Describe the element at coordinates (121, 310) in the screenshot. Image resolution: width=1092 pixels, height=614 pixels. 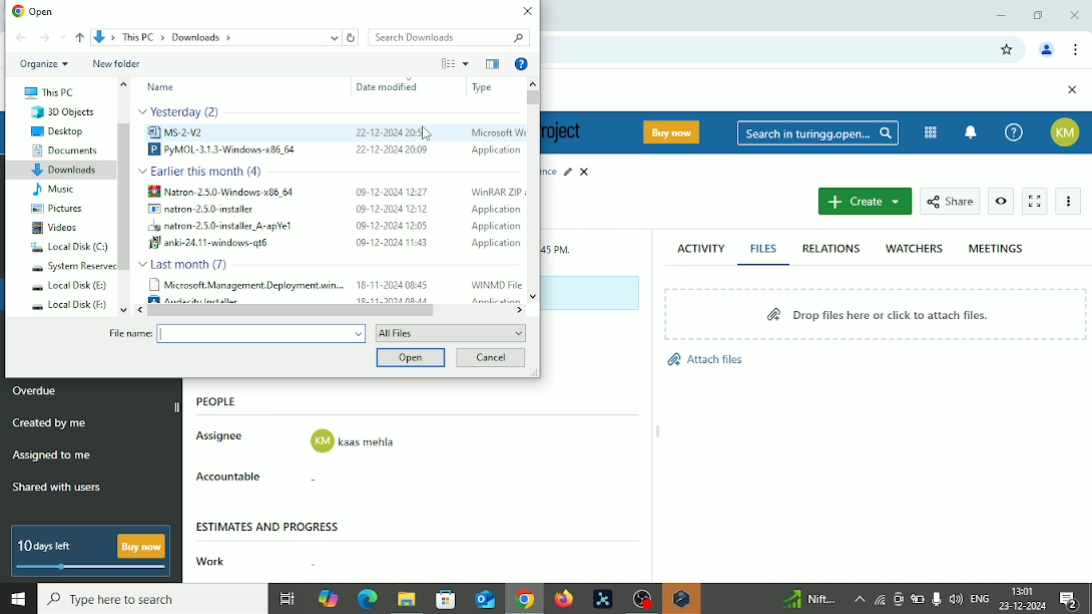
I see `move down` at that location.